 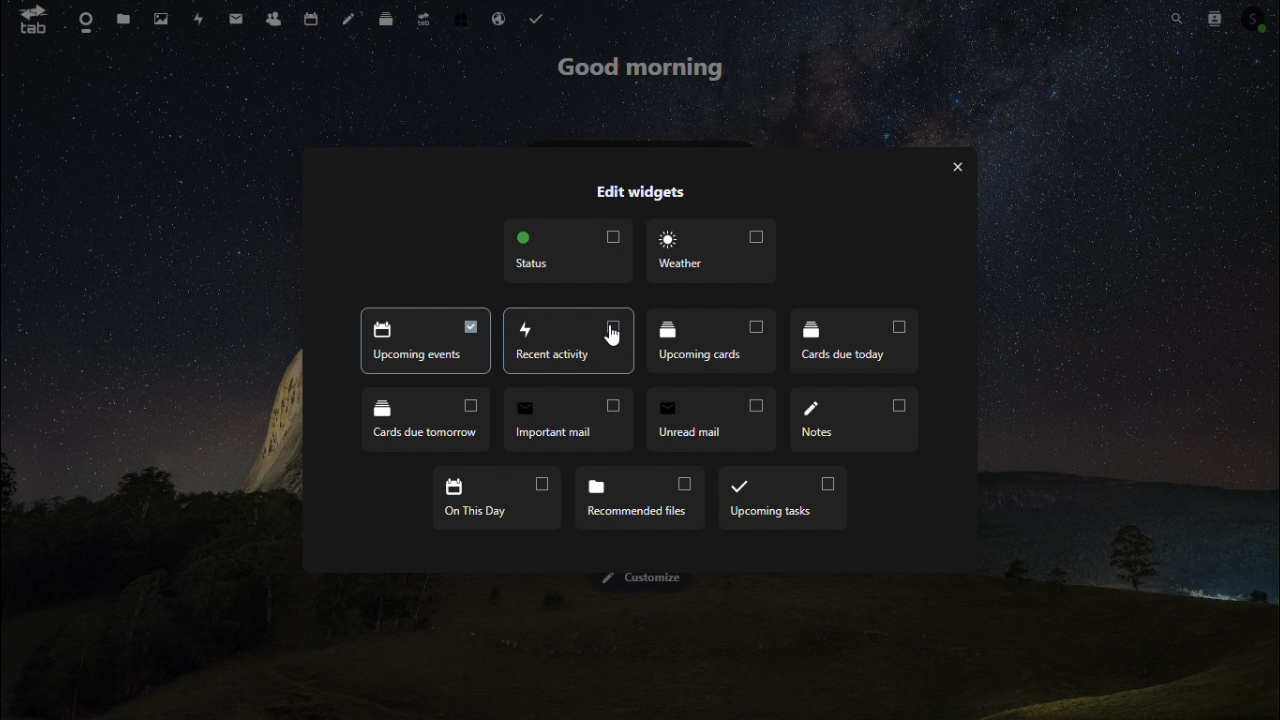 What do you see at coordinates (643, 579) in the screenshot?
I see `Customize` at bounding box center [643, 579].